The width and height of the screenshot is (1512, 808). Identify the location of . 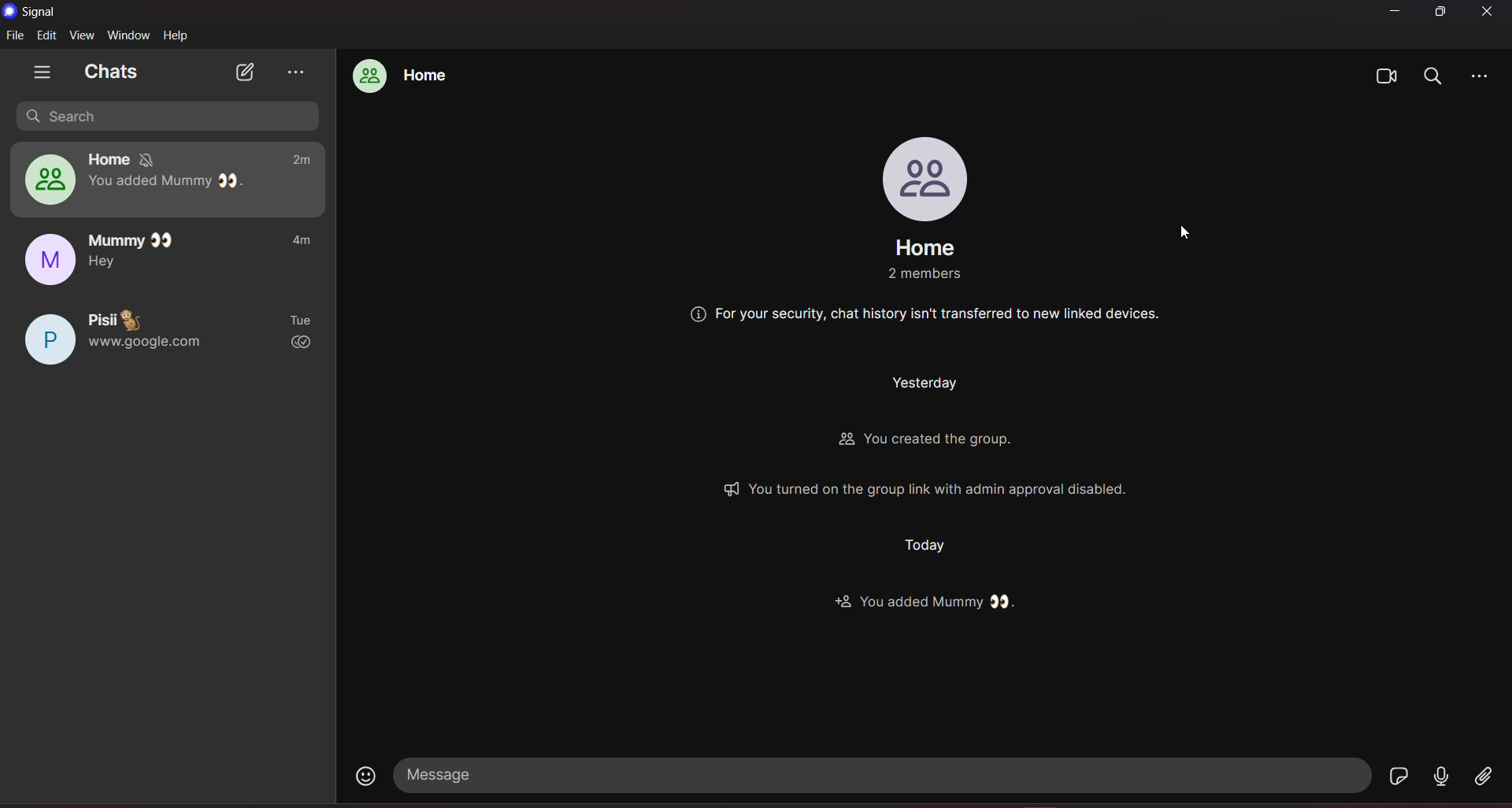
(928, 276).